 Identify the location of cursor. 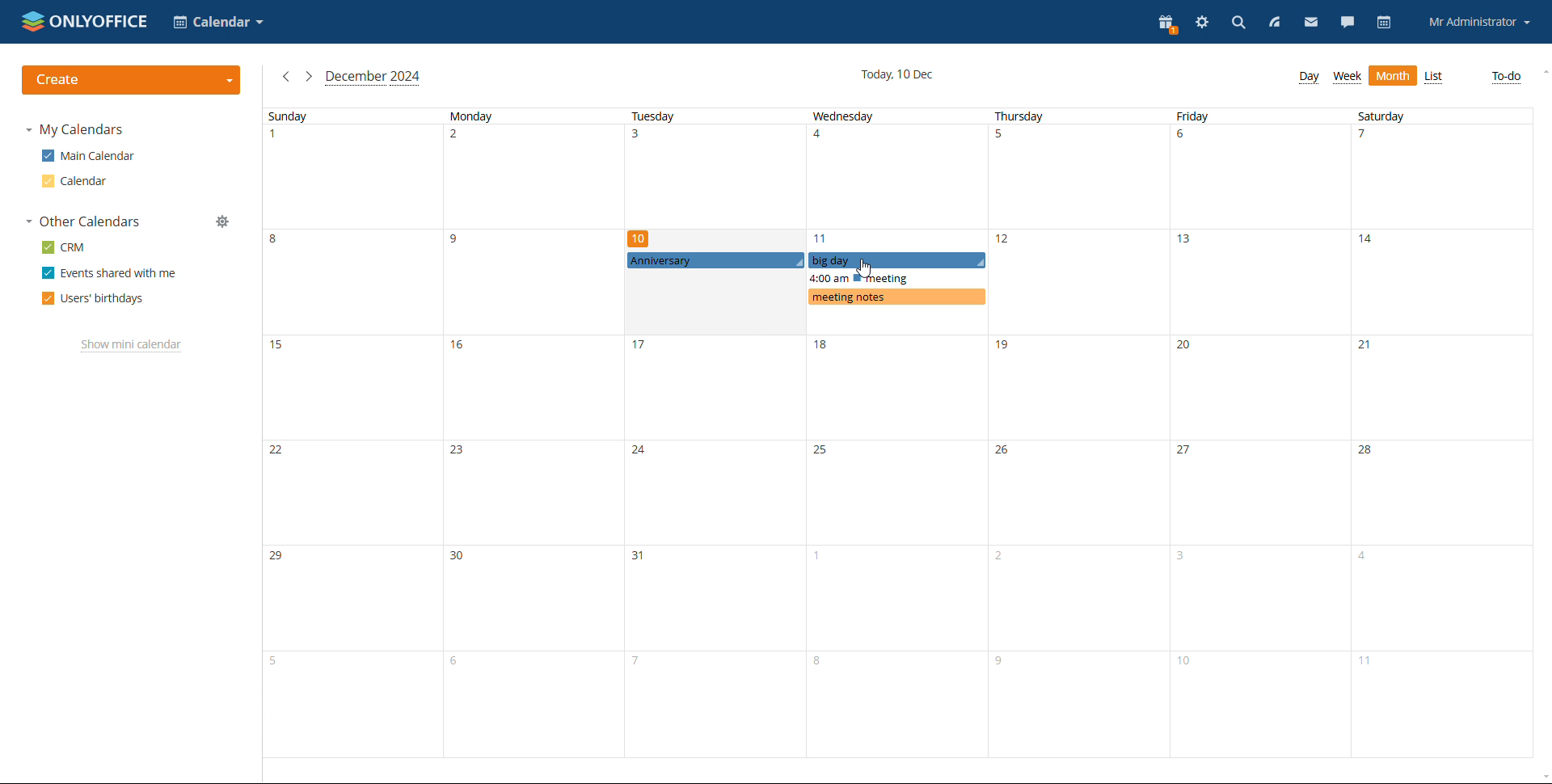
(864, 269).